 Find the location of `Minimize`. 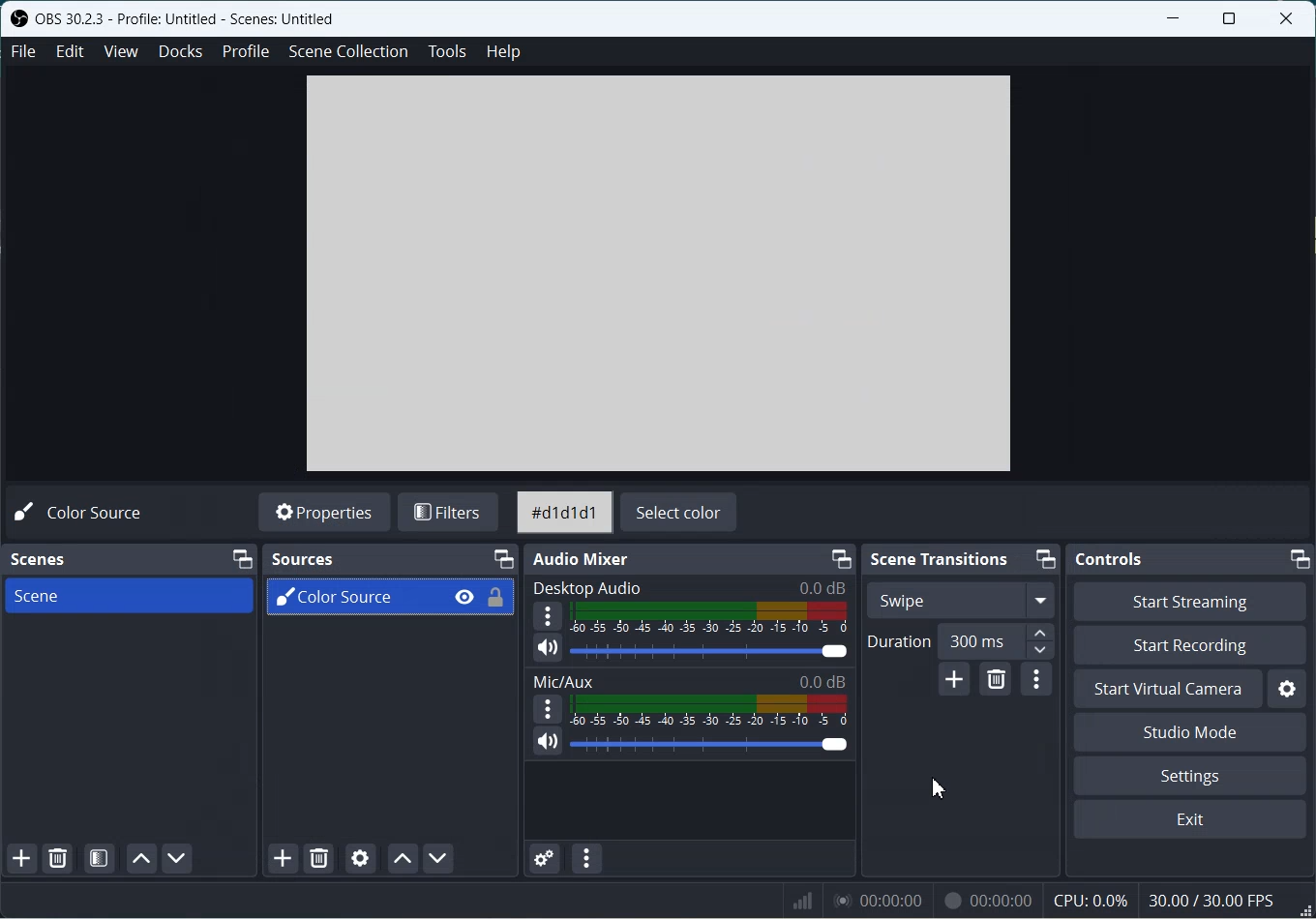

Minimize is located at coordinates (241, 557).